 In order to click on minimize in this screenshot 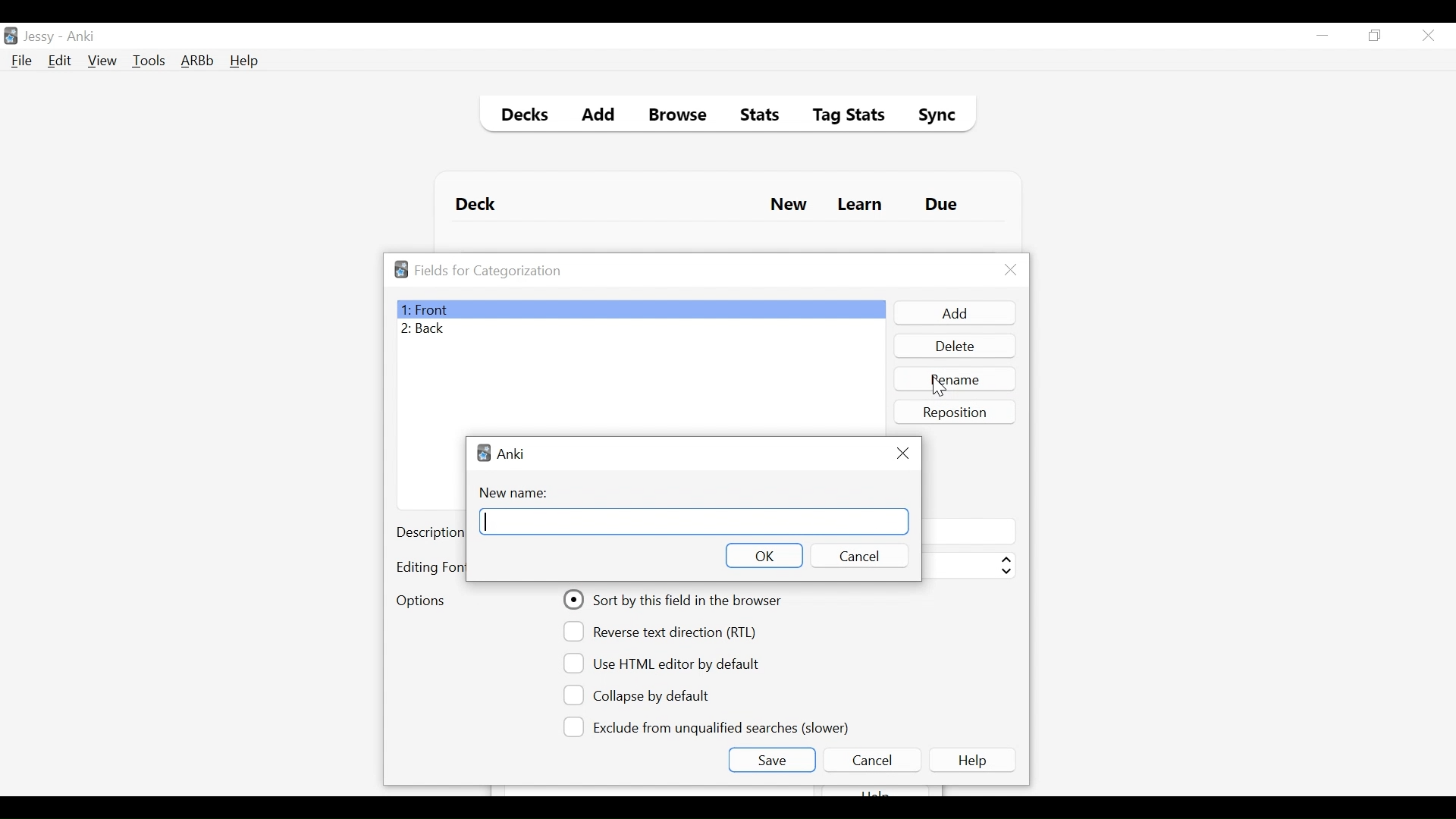, I will do `click(1322, 36)`.